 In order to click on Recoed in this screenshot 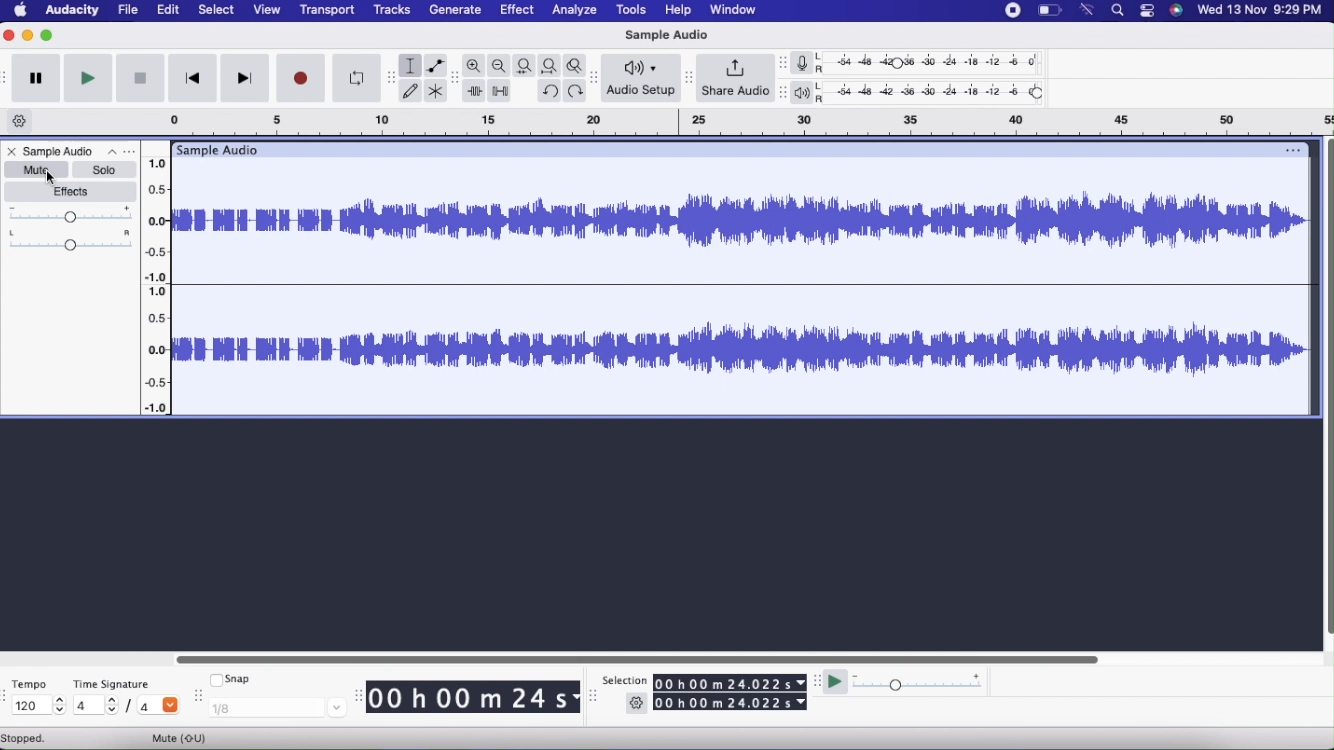, I will do `click(1011, 11)`.